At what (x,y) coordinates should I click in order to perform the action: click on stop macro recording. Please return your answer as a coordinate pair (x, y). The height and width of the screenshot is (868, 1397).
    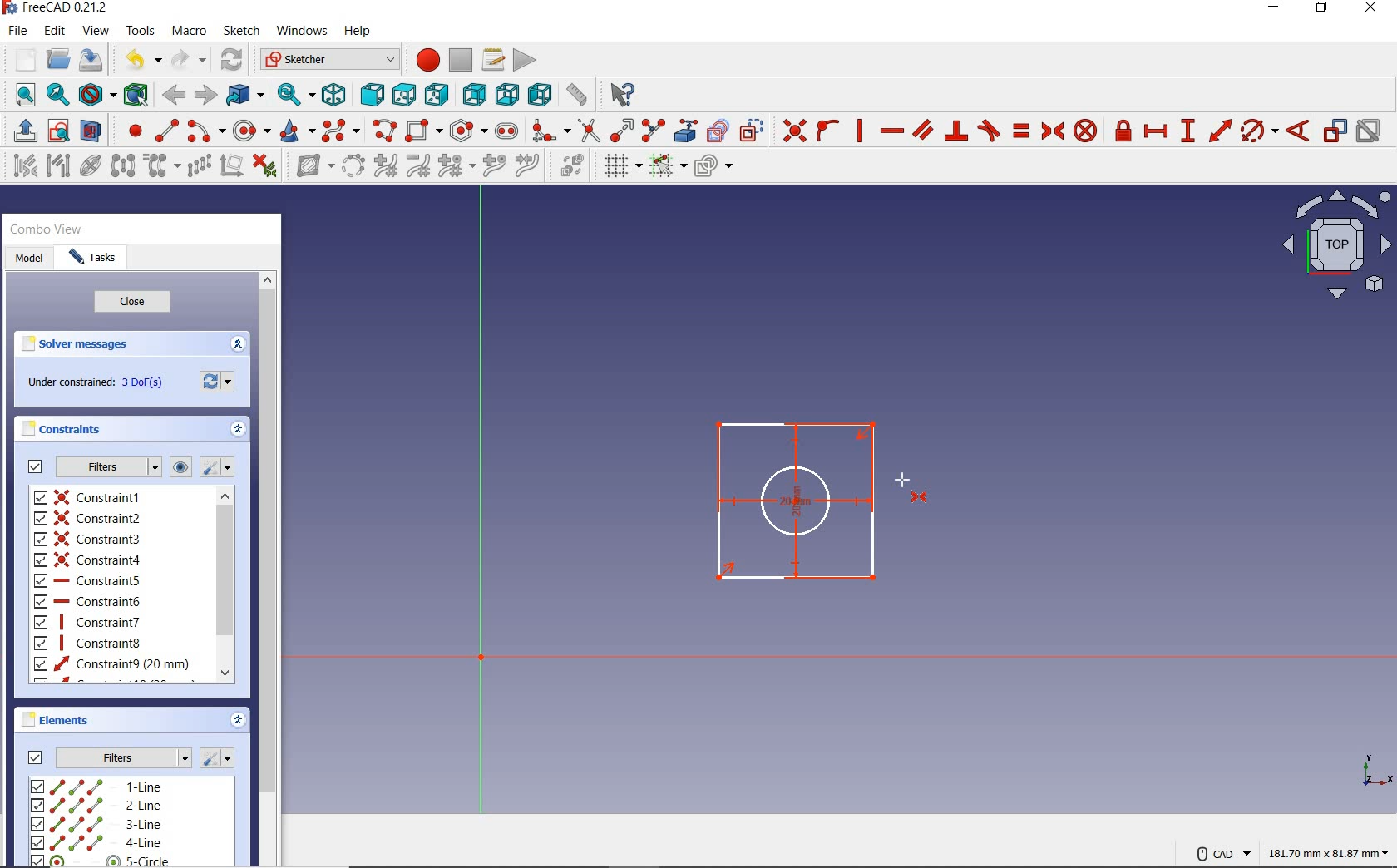
    Looking at the image, I should click on (462, 59).